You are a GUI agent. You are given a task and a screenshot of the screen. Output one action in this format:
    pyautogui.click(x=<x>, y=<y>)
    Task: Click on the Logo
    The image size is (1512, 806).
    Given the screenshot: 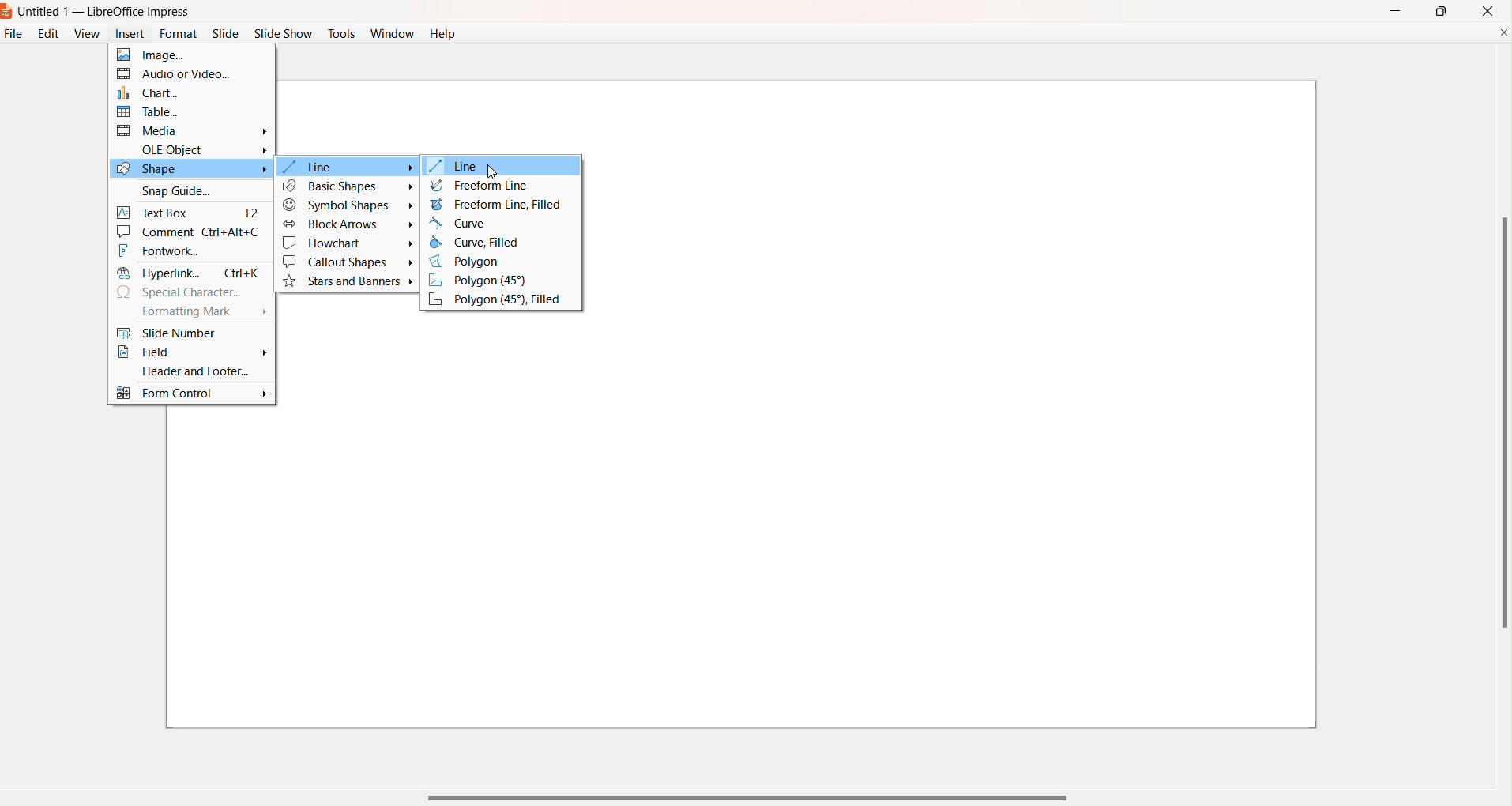 What is the action you would take?
    pyautogui.click(x=8, y=13)
    